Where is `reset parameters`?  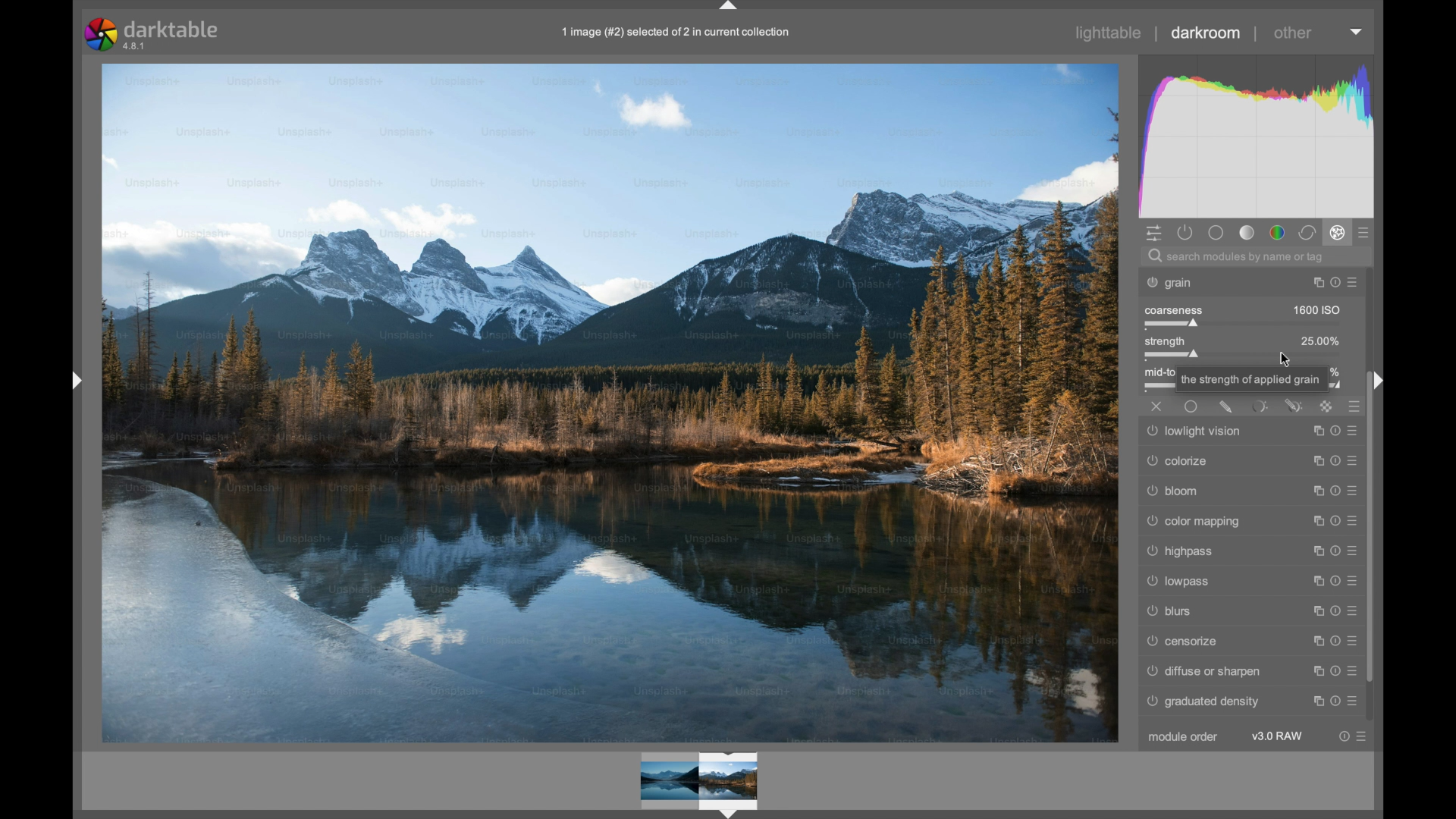 reset parameters is located at coordinates (1332, 522).